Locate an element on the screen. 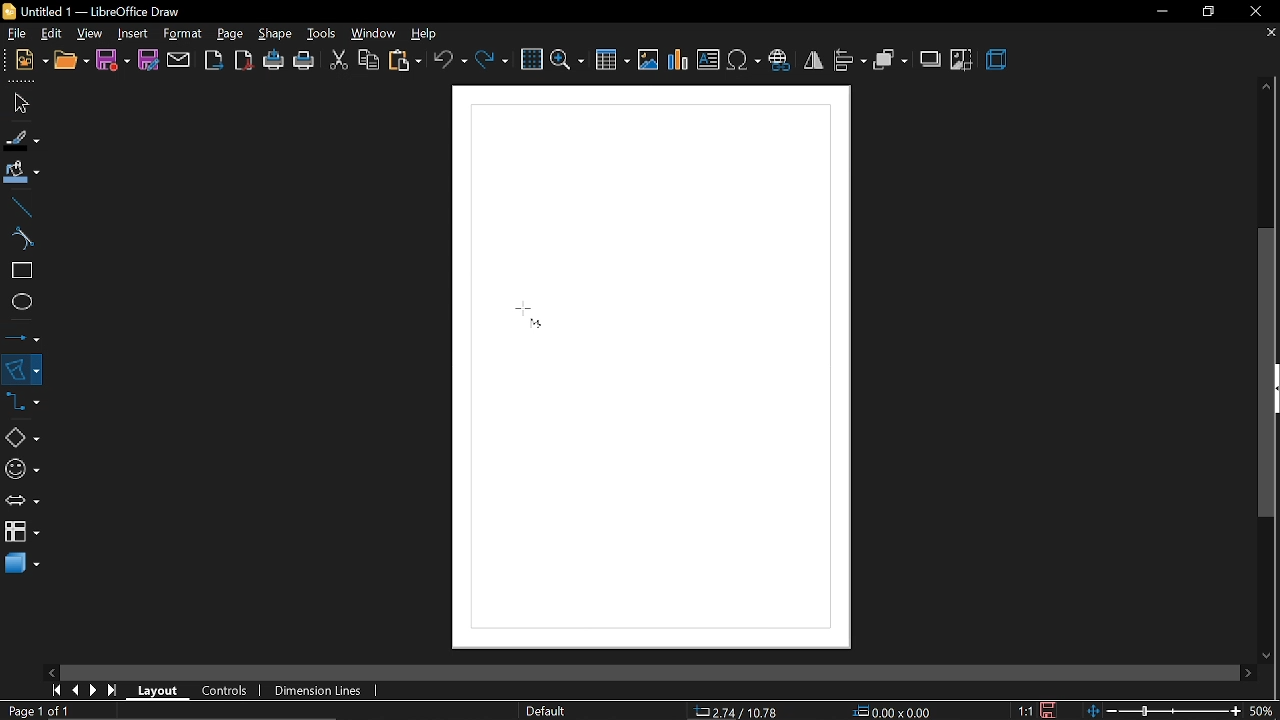 The height and width of the screenshot is (720, 1280). restore down is located at coordinates (1209, 11).